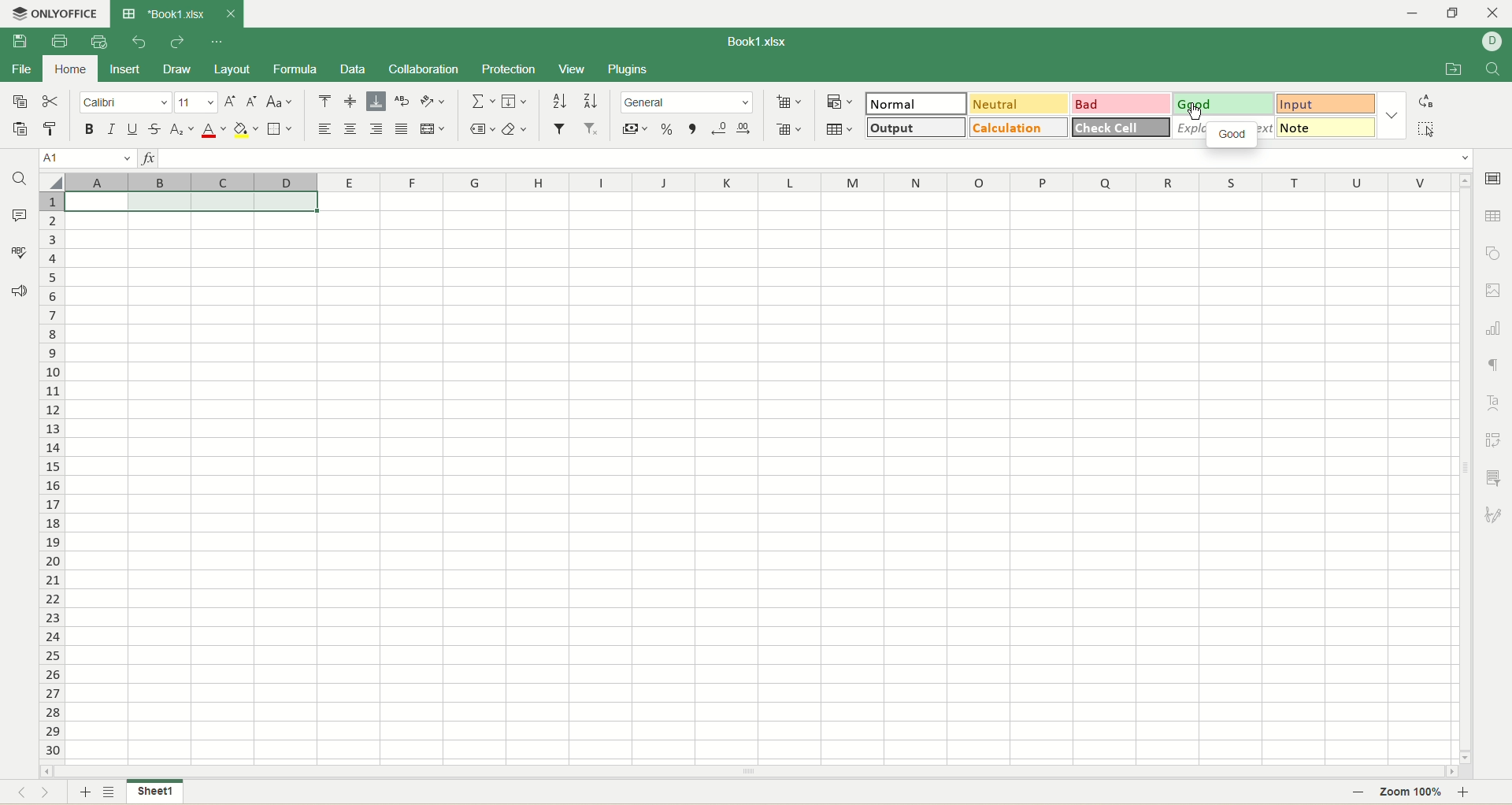 Image resolution: width=1512 pixels, height=805 pixels. What do you see at coordinates (1495, 514) in the screenshot?
I see `signature settings` at bounding box center [1495, 514].